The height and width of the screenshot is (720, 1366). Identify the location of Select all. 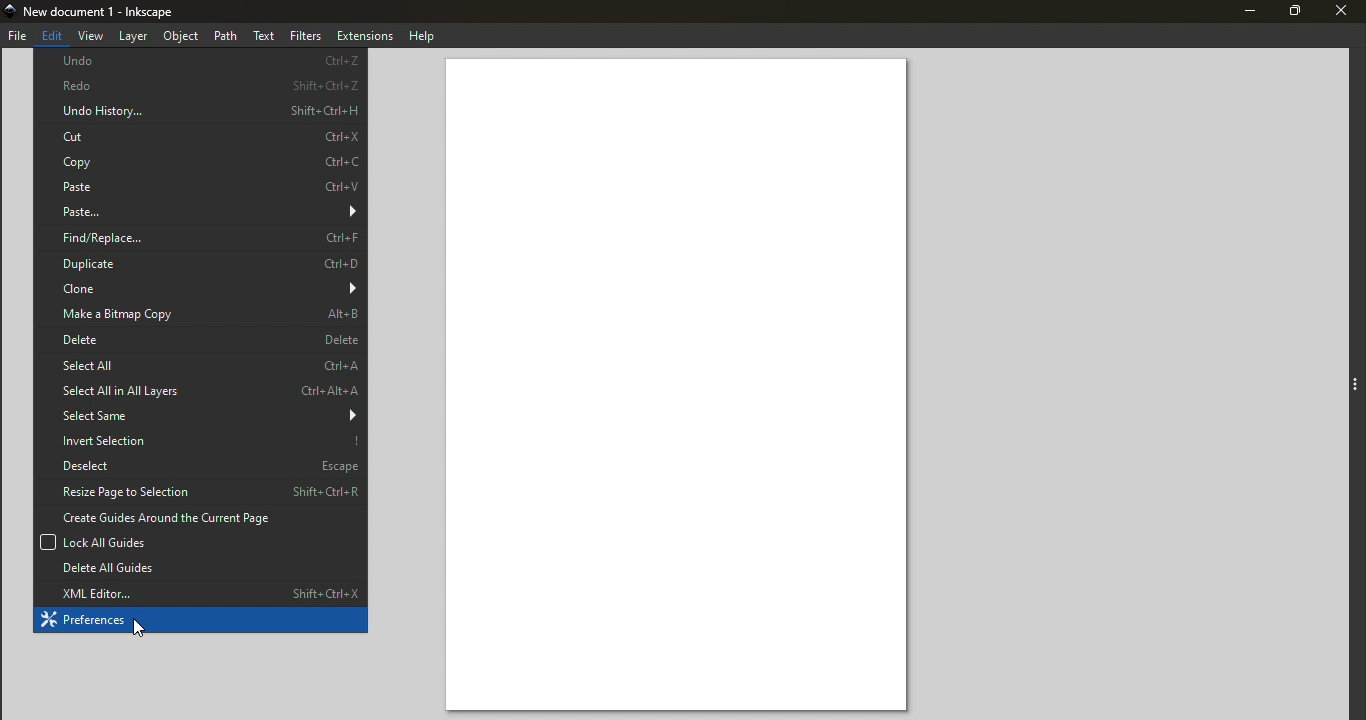
(200, 368).